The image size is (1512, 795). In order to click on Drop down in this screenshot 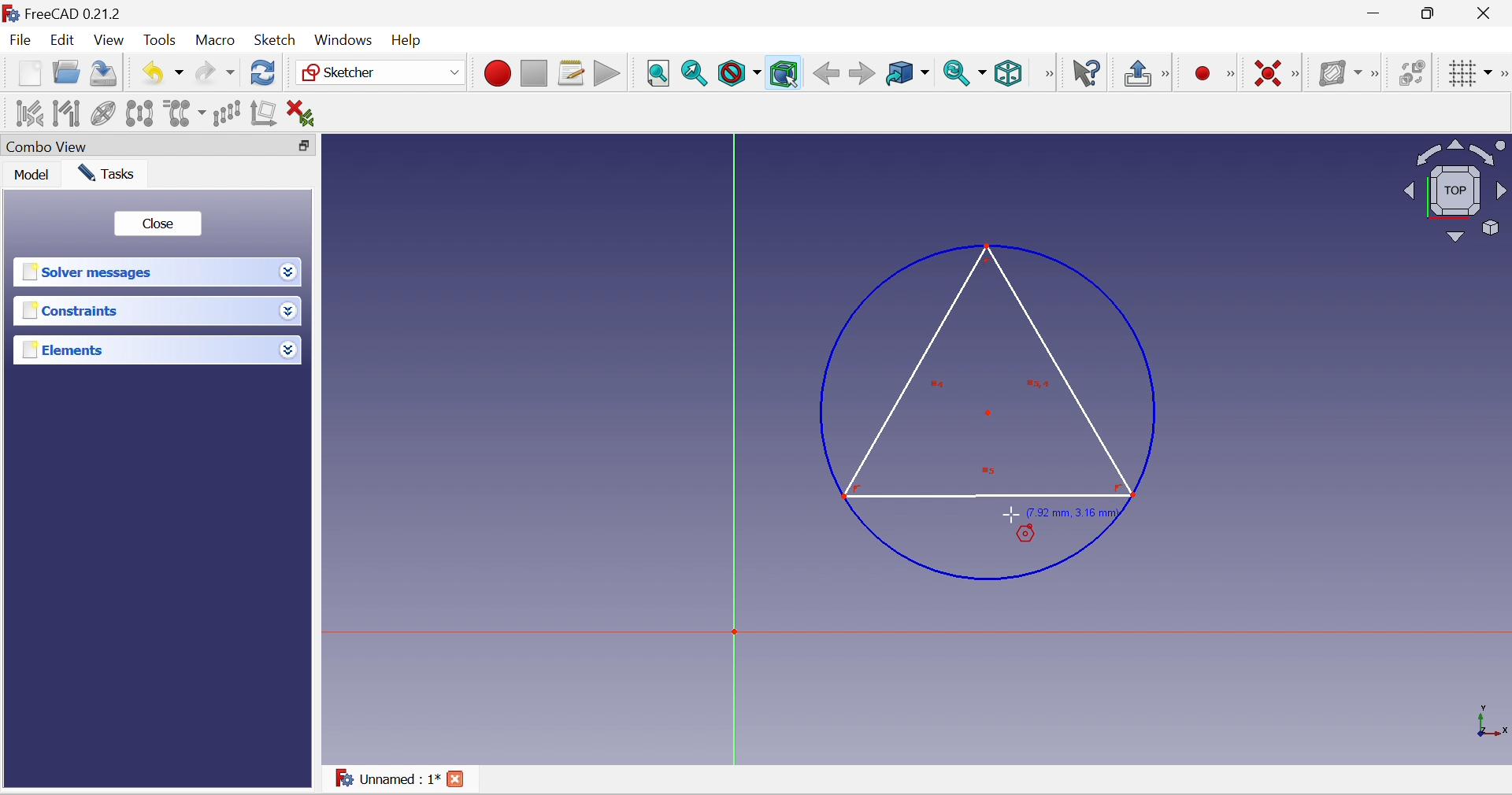, I will do `click(289, 349)`.